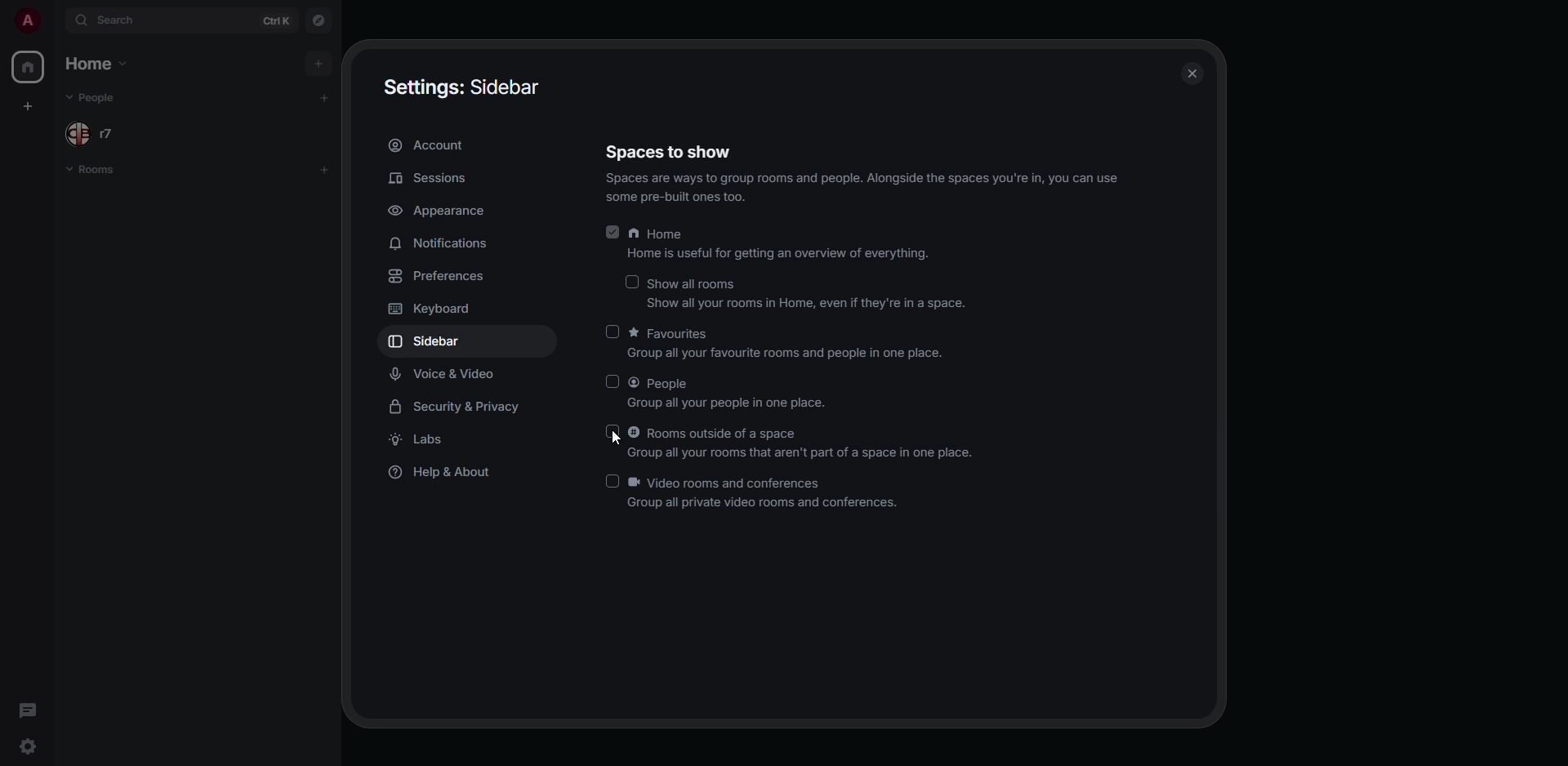 This screenshot has height=766, width=1568. I want to click on search, so click(120, 21).